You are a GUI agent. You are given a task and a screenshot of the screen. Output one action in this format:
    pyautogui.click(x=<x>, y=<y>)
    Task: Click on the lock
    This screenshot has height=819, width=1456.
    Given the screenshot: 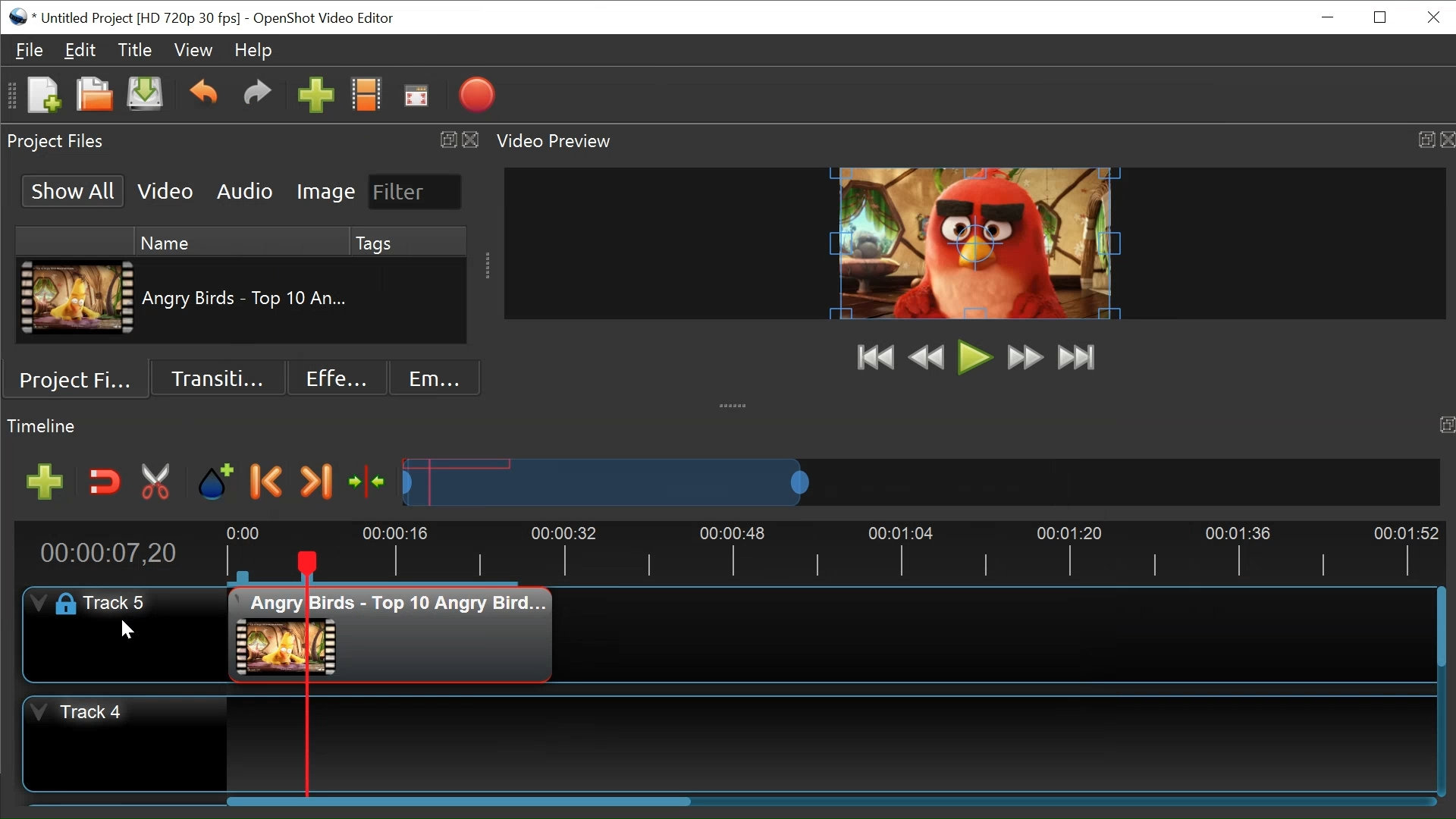 What is the action you would take?
    pyautogui.click(x=62, y=604)
    